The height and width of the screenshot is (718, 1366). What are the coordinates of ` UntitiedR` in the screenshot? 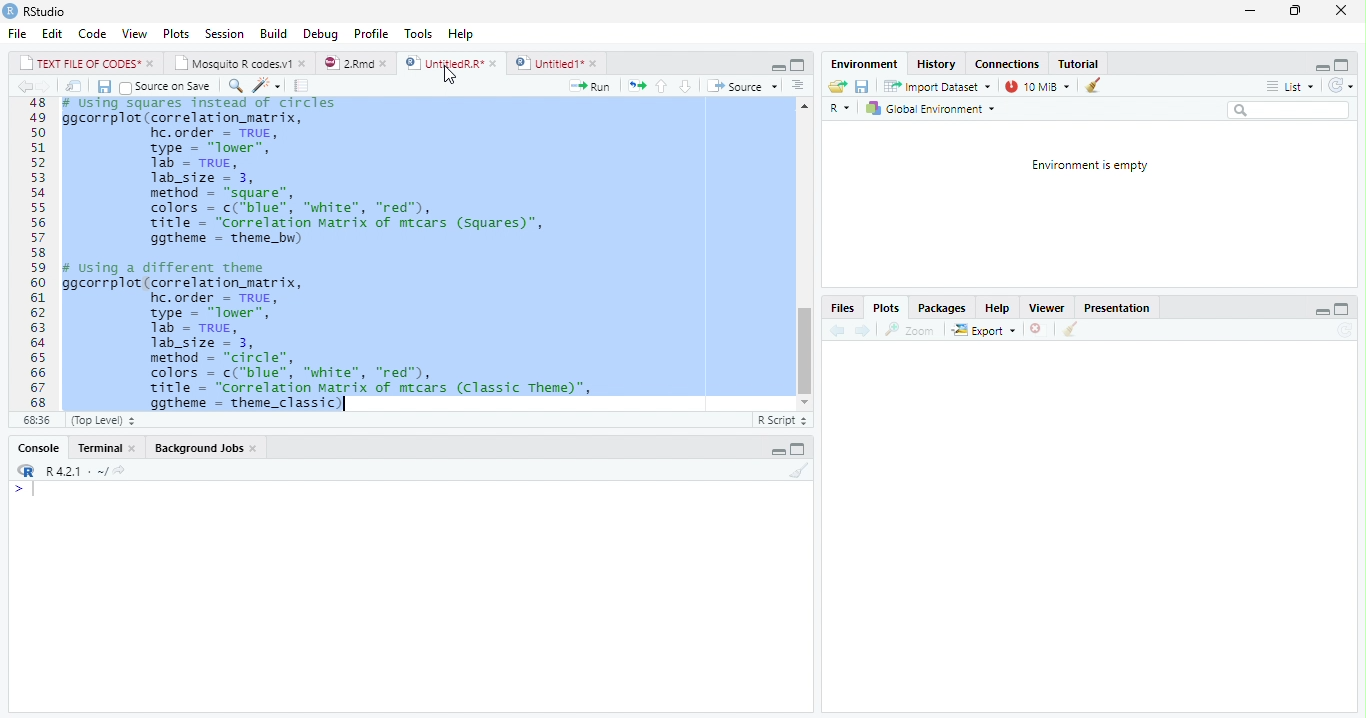 It's located at (452, 63).